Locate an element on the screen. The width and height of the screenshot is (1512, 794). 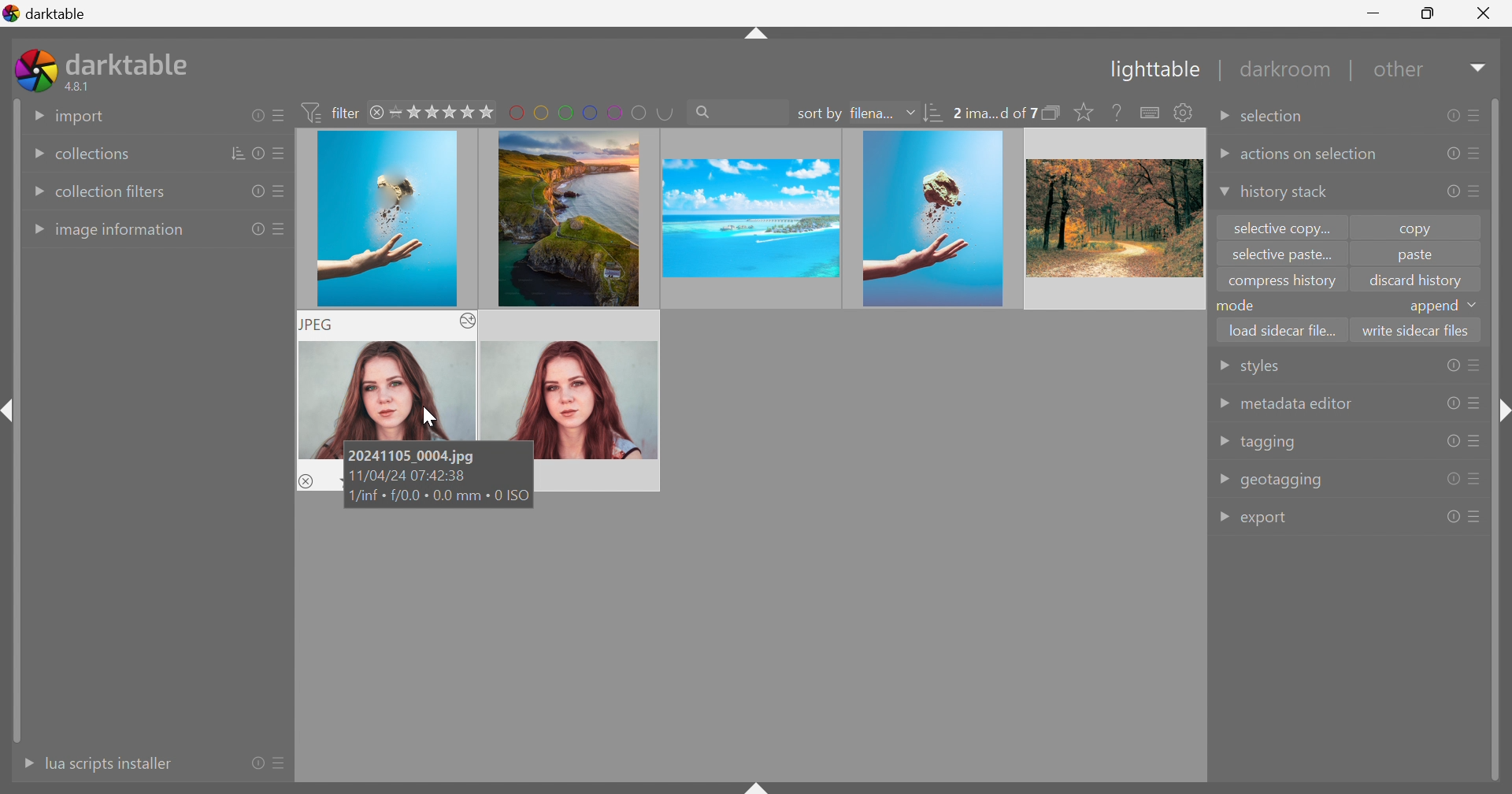
show global preference is located at coordinates (1182, 112).